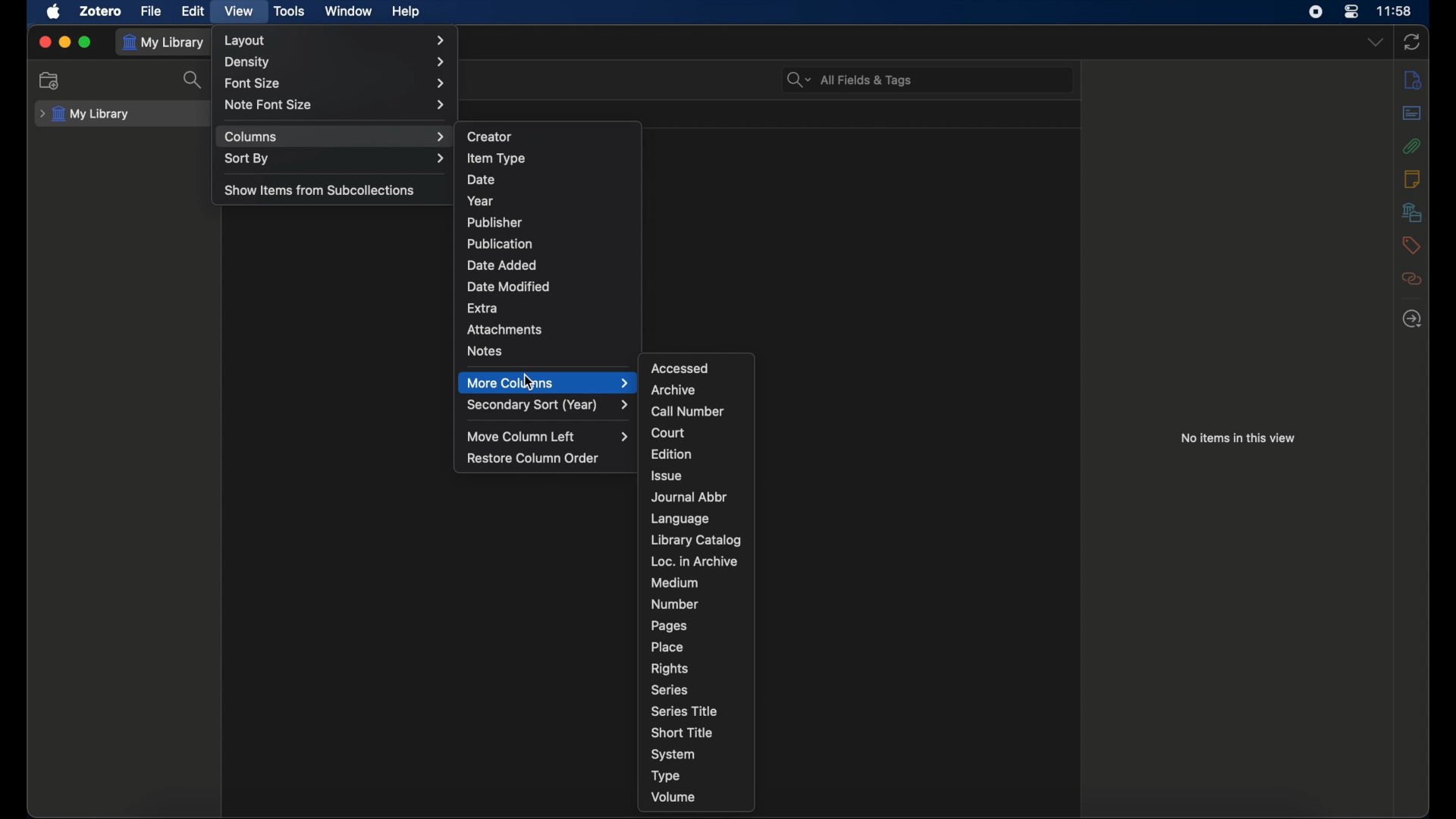 The height and width of the screenshot is (819, 1456). What do you see at coordinates (504, 329) in the screenshot?
I see `attachments` at bounding box center [504, 329].